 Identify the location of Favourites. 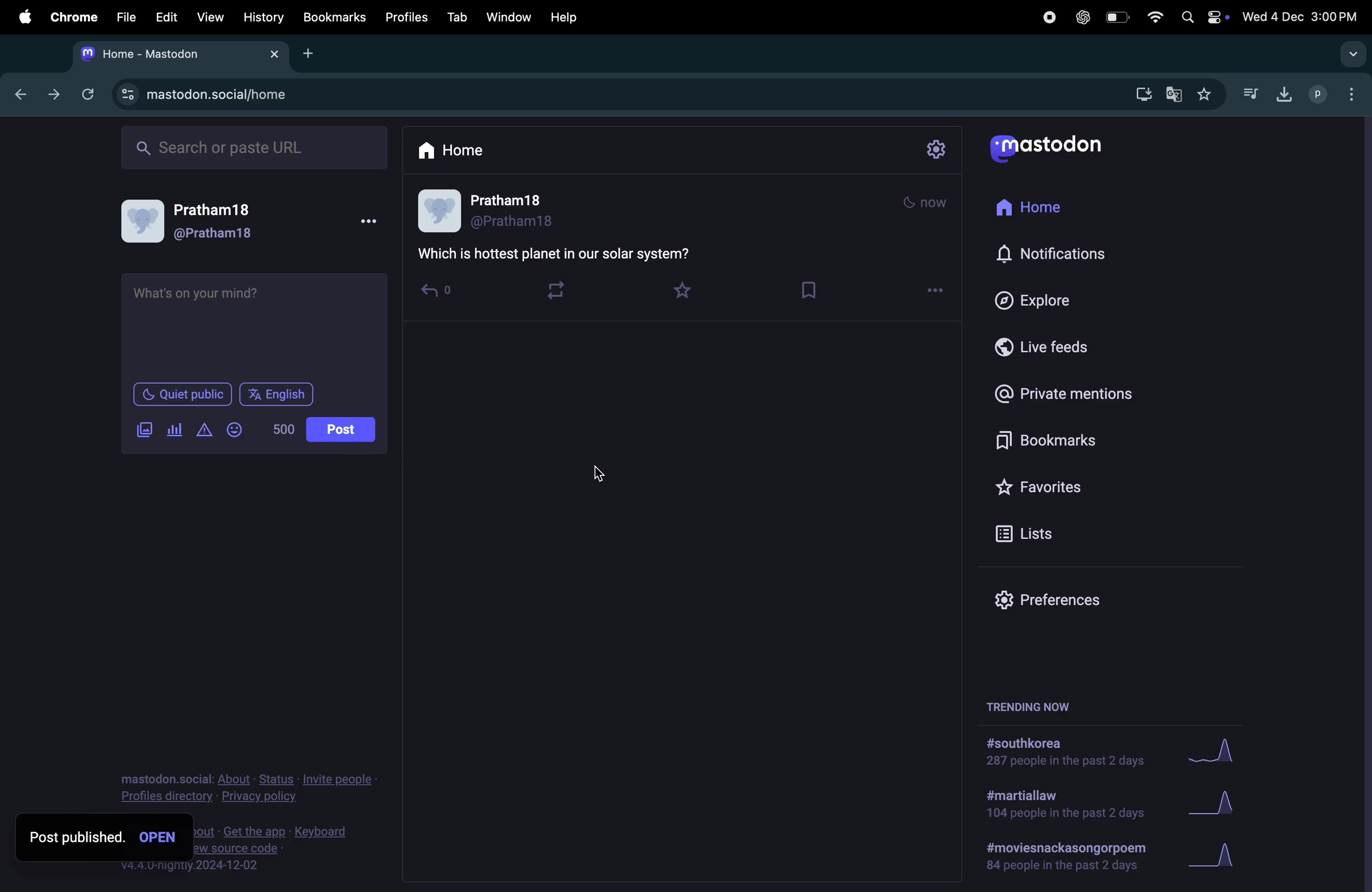
(1058, 488).